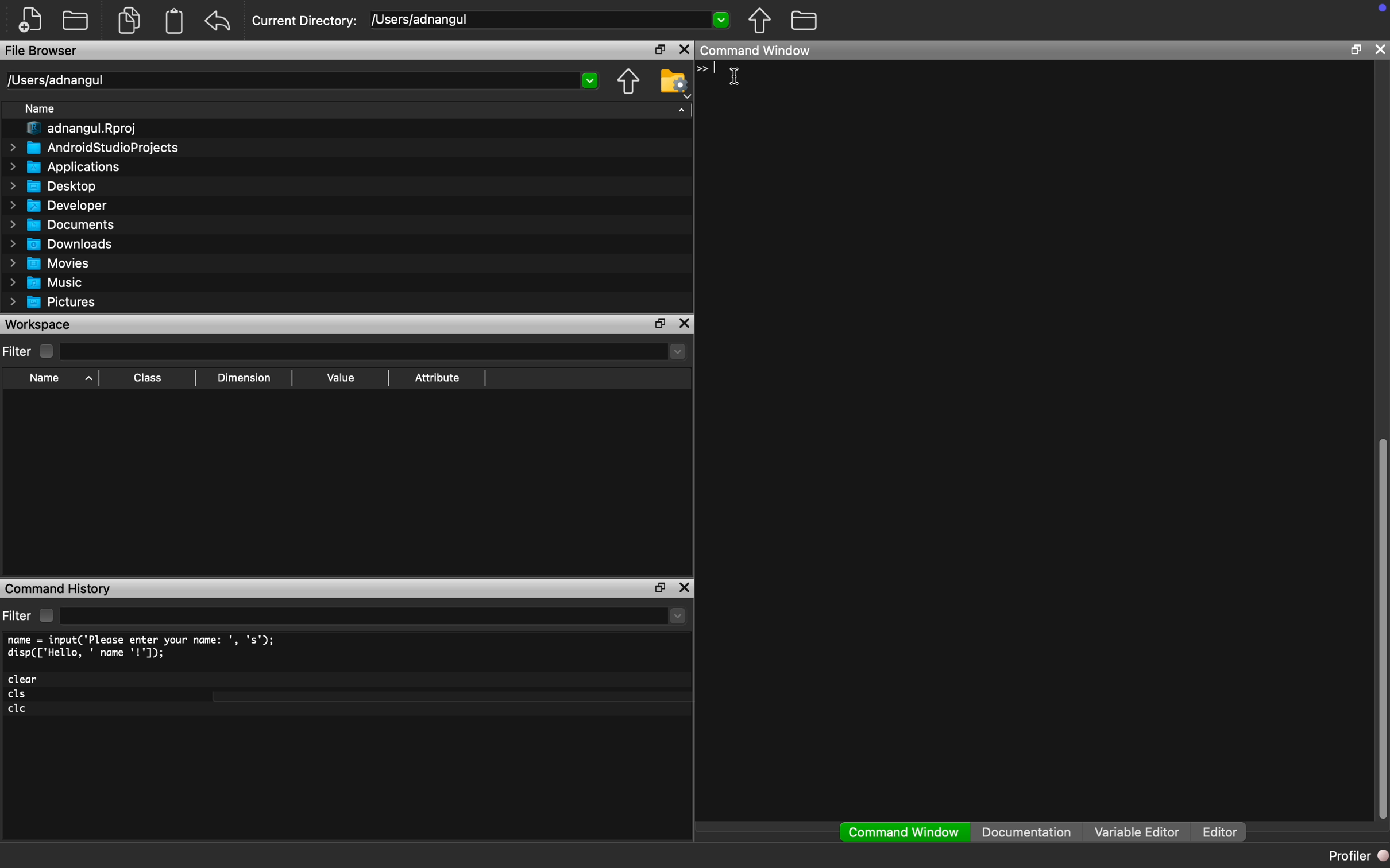 The width and height of the screenshot is (1390, 868). I want to click on icon, so click(703, 69).